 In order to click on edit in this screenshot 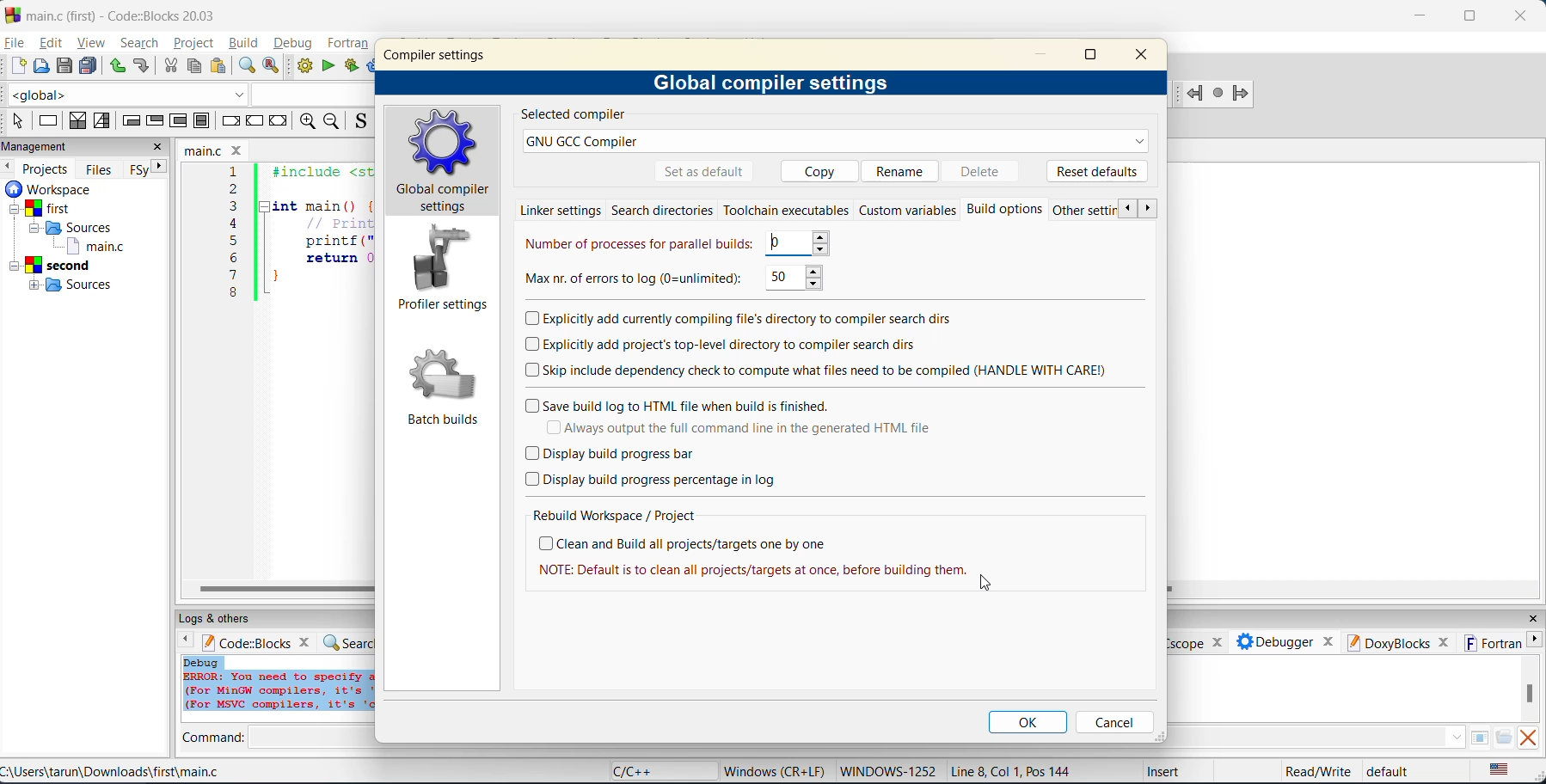, I will do `click(48, 43)`.